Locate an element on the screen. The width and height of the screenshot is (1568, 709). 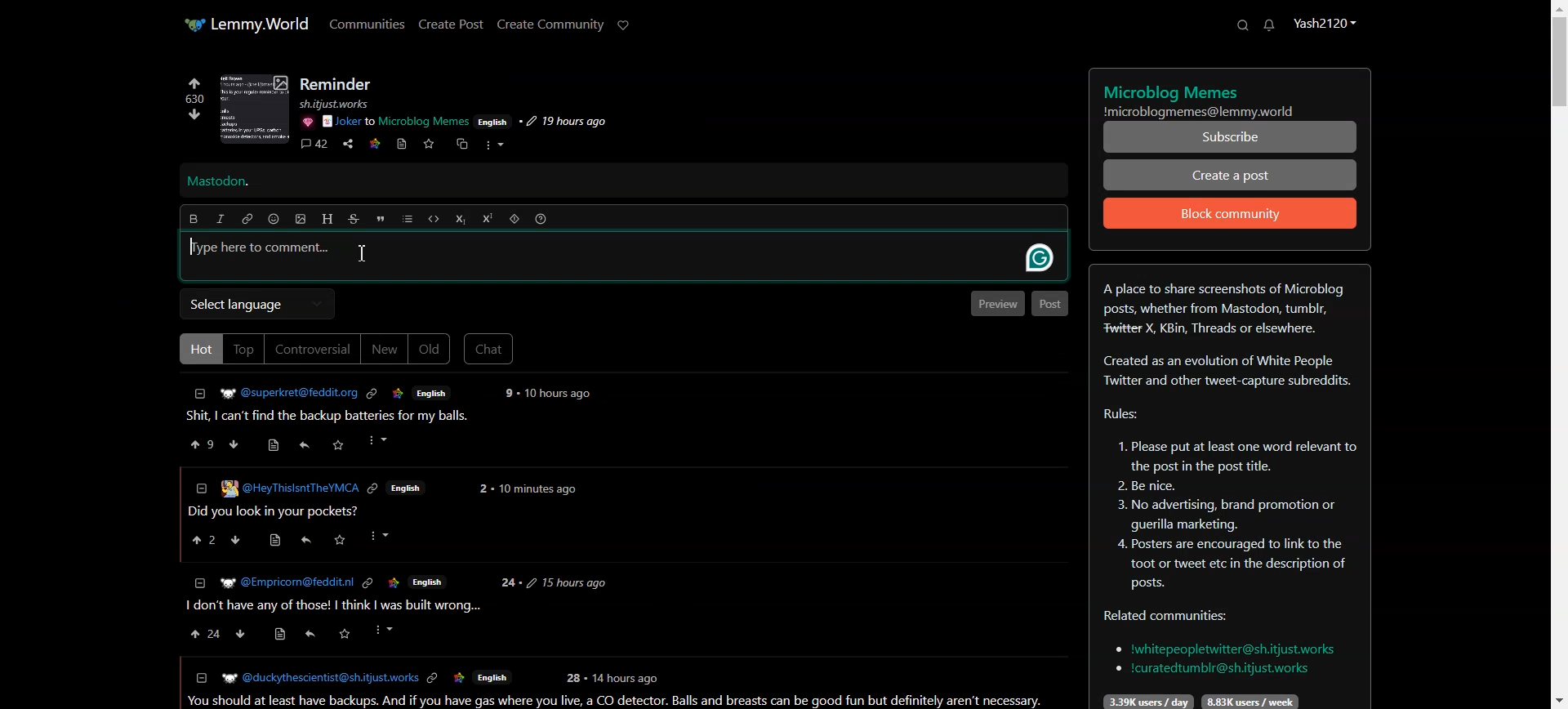
 is located at coordinates (562, 122).